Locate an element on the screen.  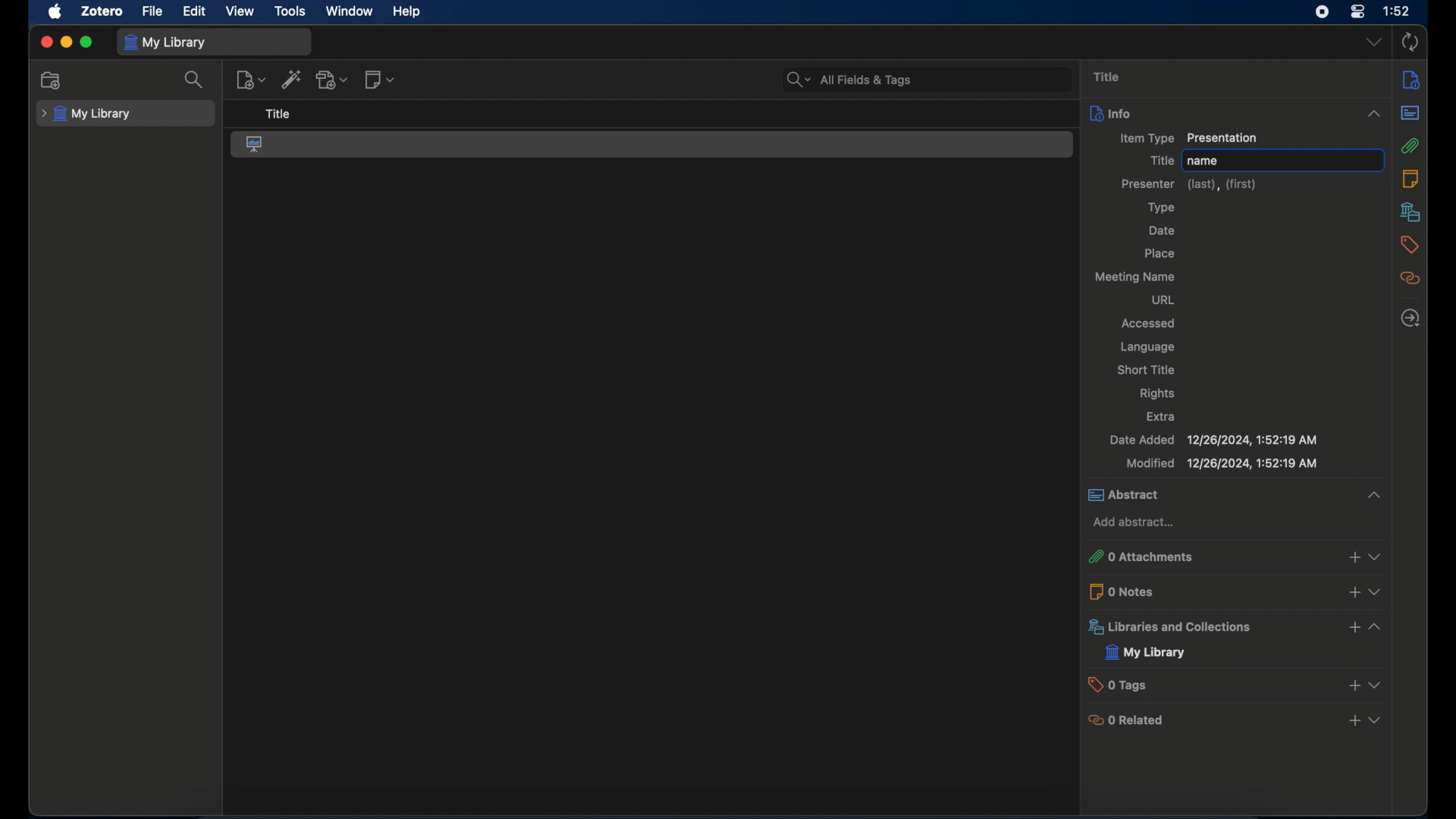
new collection is located at coordinates (52, 80).